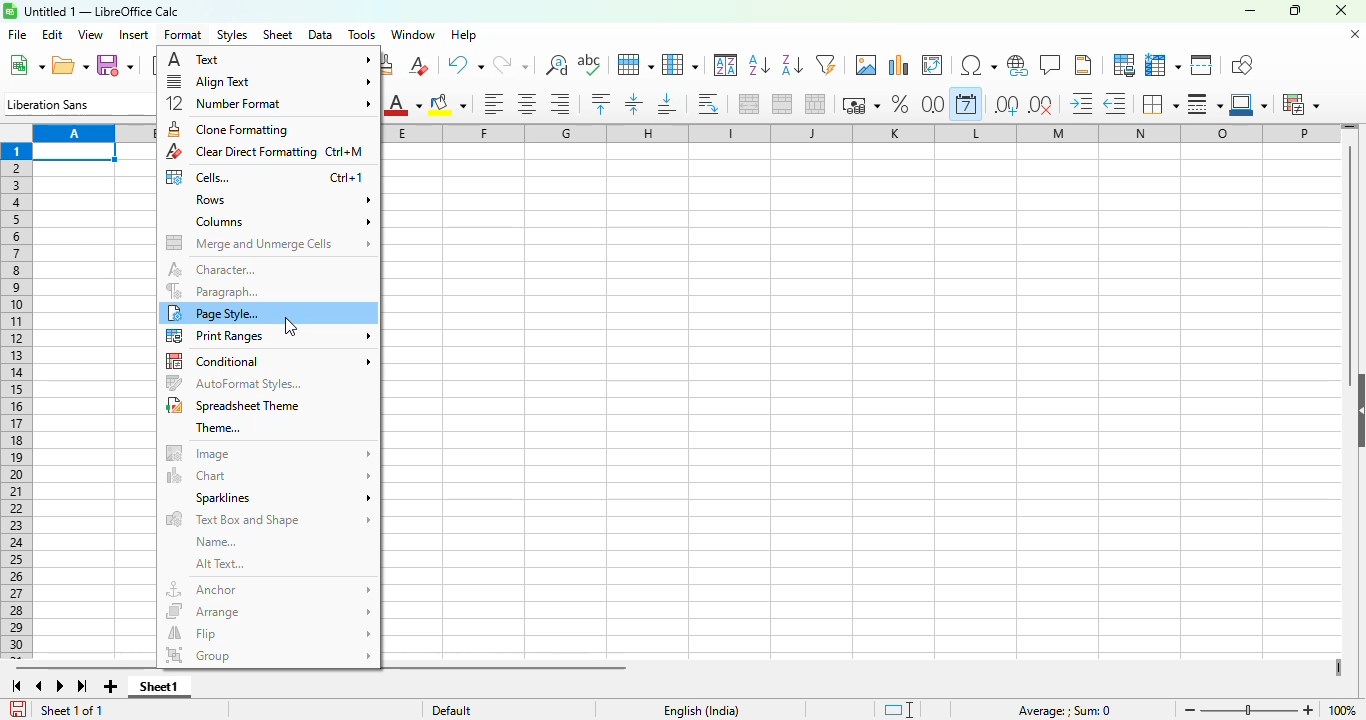  Describe the element at coordinates (236, 383) in the screenshot. I see `autoformat styles` at that location.